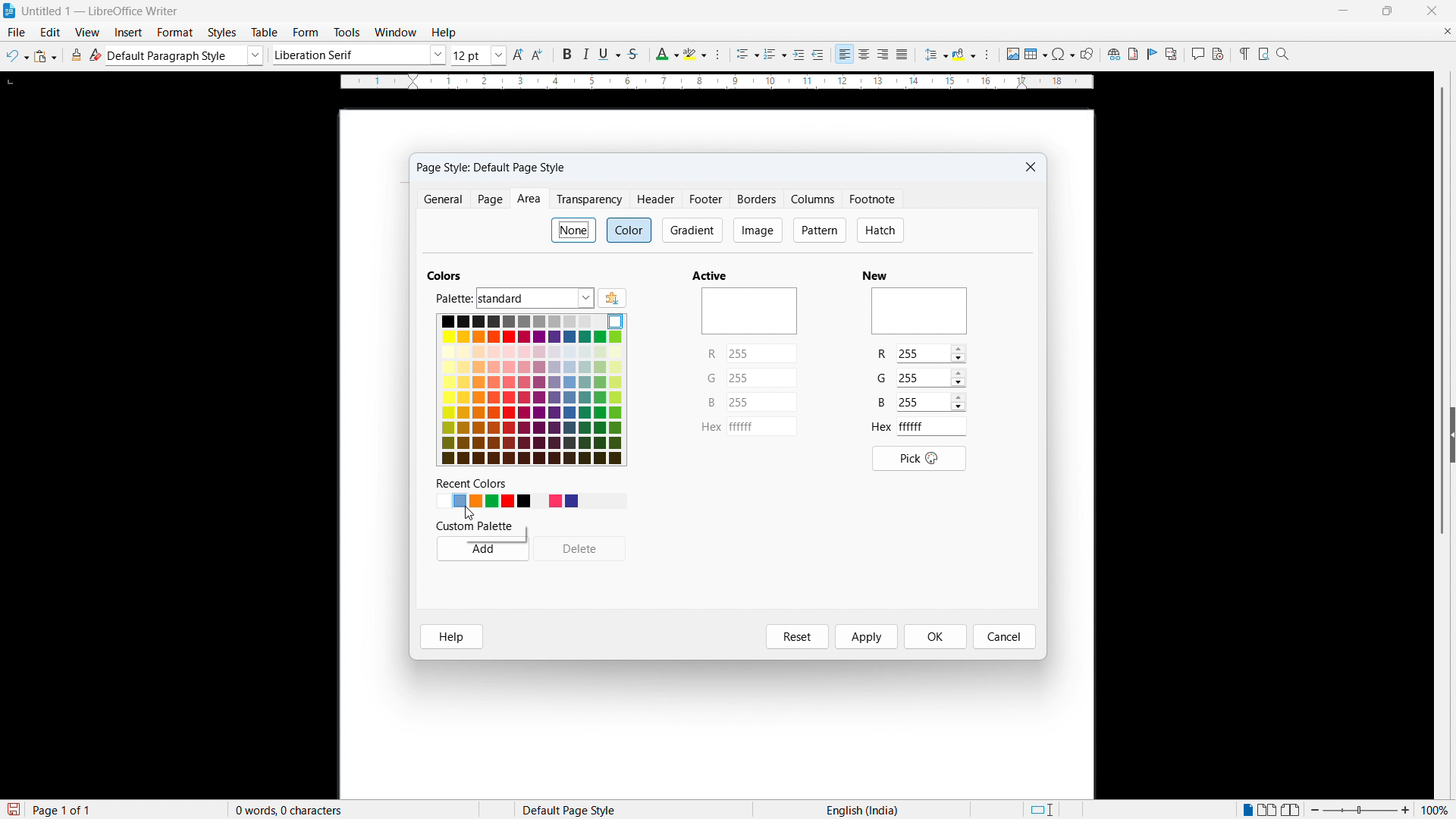 The image size is (1456, 819). Describe the element at coordinates (96, 55) in the screenshot. I see `Clear direct formatting ` at that location.